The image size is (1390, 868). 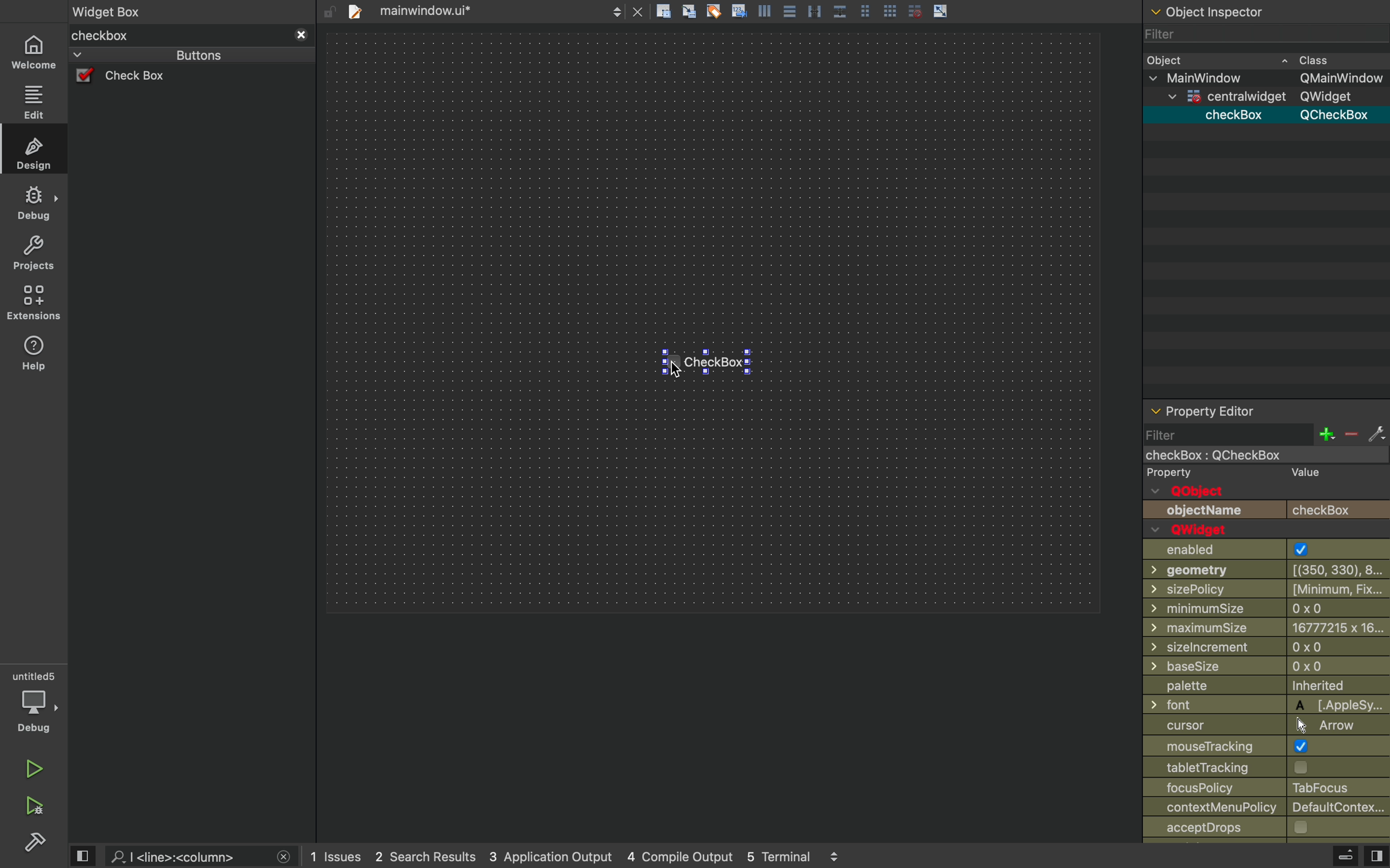 What do you see at coordinates (1284, 115) in the screenshot?
I see `checkBox.   QCheckBox` at bounding box center [1284, 115].